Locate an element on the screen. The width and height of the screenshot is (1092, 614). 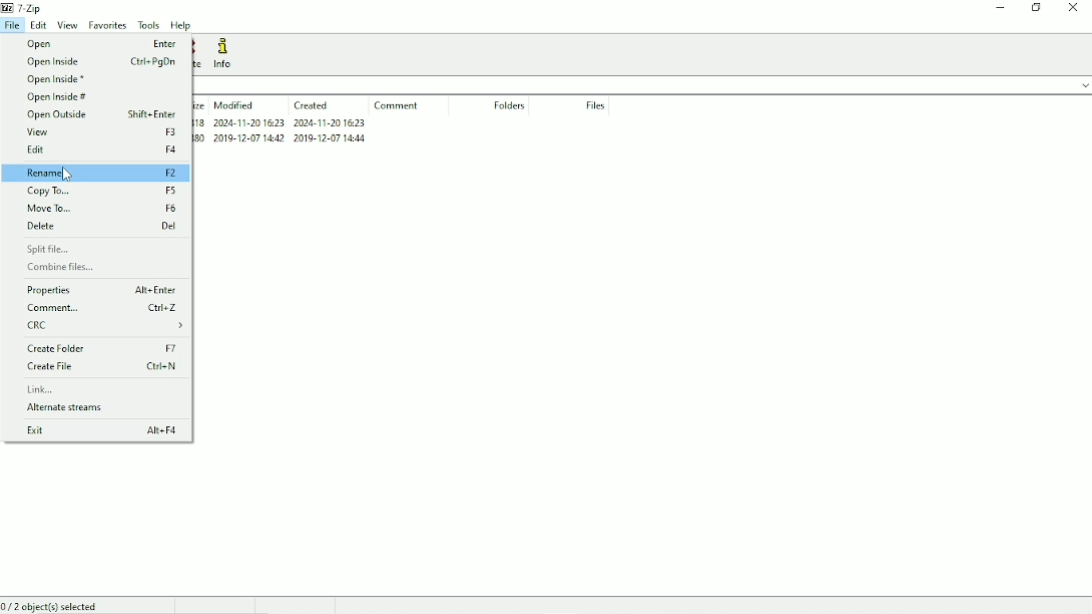
318 2024-11-201623 2024-11-20 1623
MW 200207140 2016-207 kd is located at coordinates (283, 135).